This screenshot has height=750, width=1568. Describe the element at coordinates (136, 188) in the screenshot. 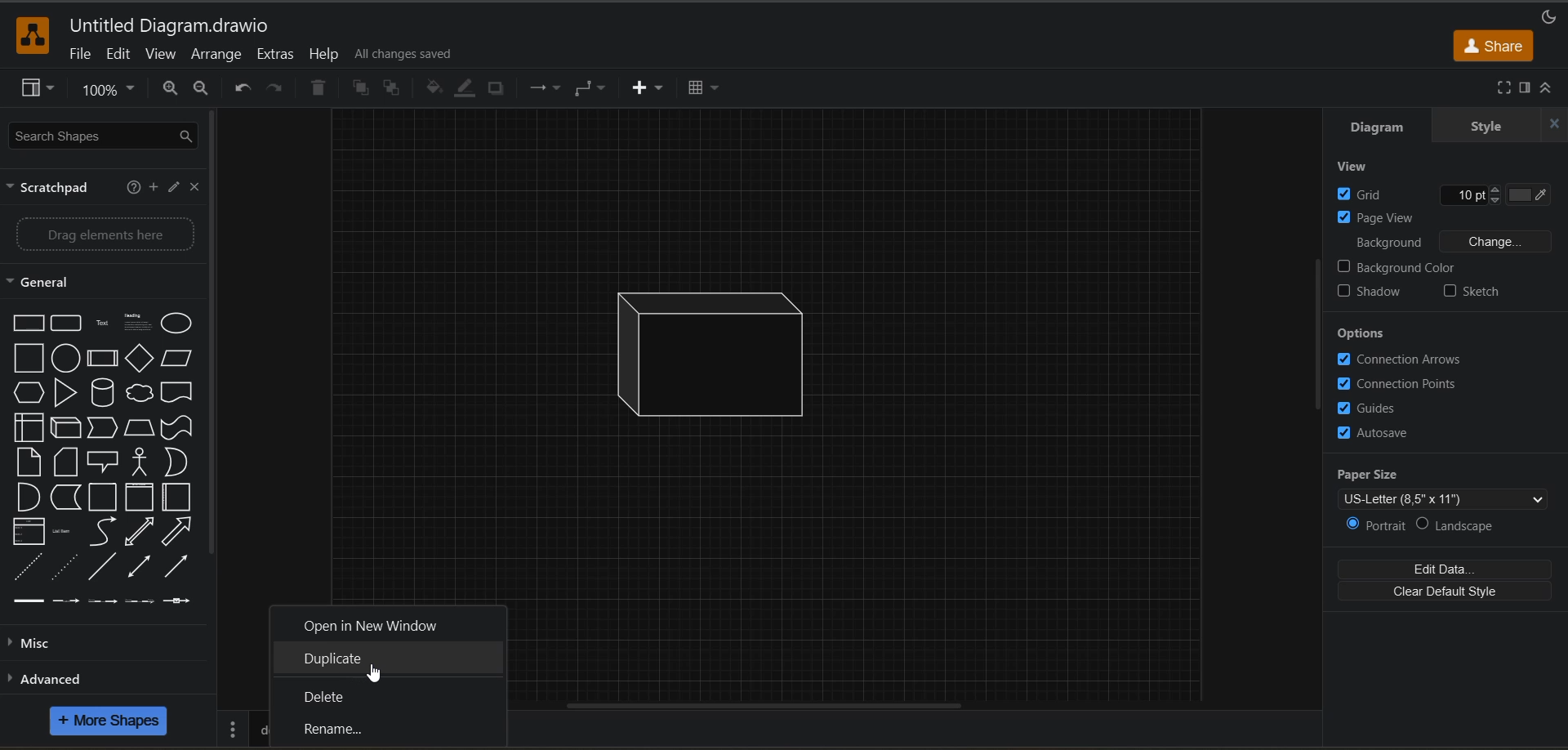

I see `help` at that location.